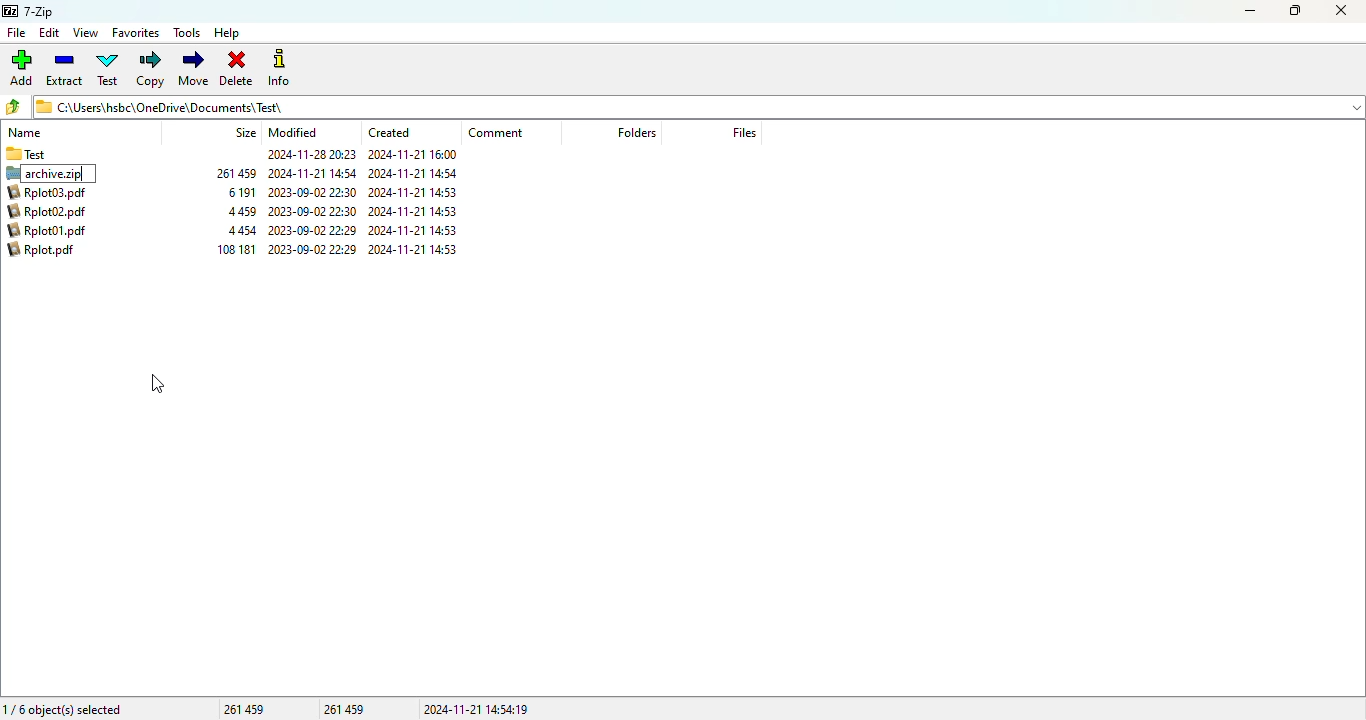  I want to click on minimize, so click(1251, 11).